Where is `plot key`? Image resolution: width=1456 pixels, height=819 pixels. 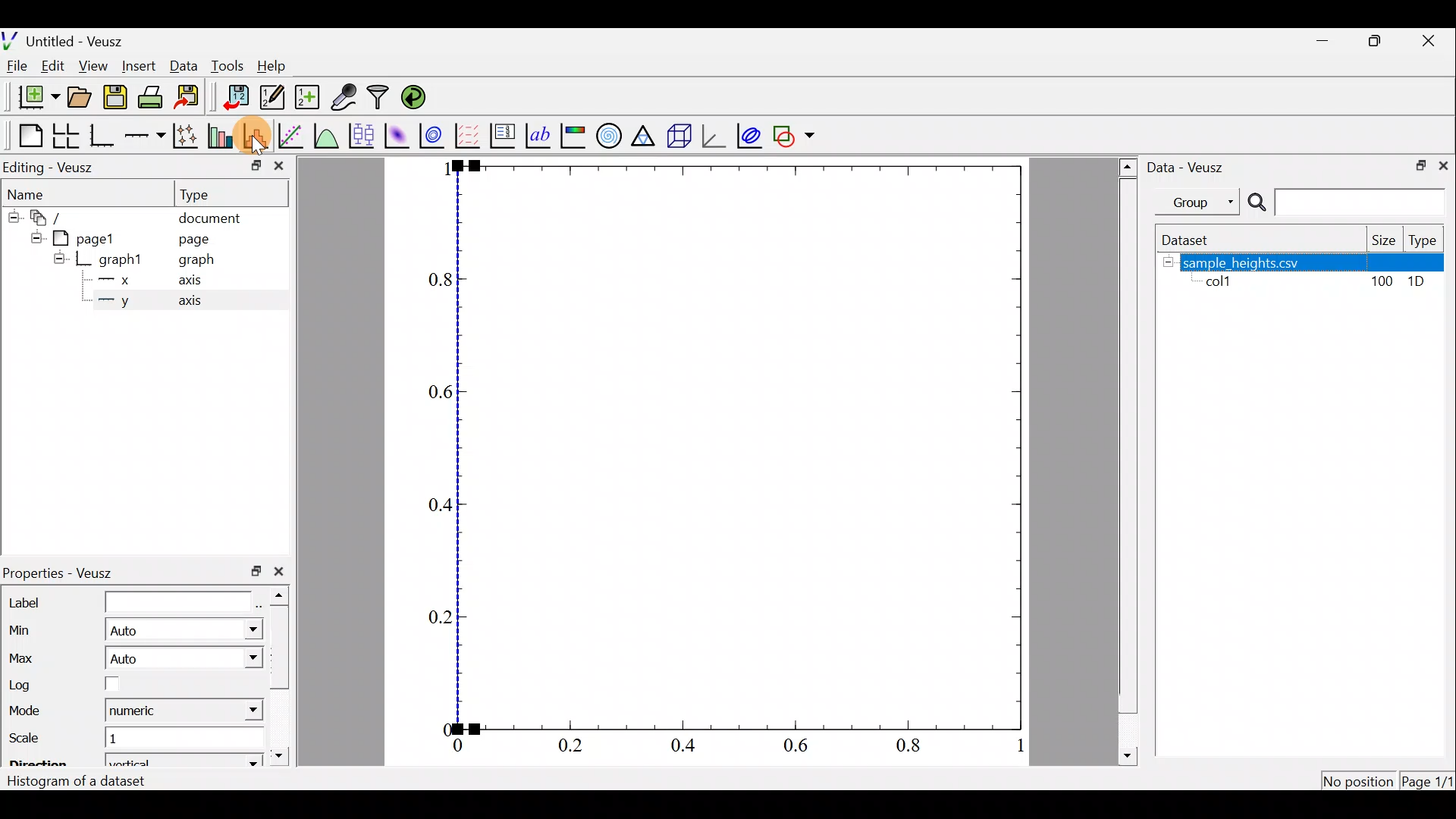
plot key is located at coordinates (505, 134).